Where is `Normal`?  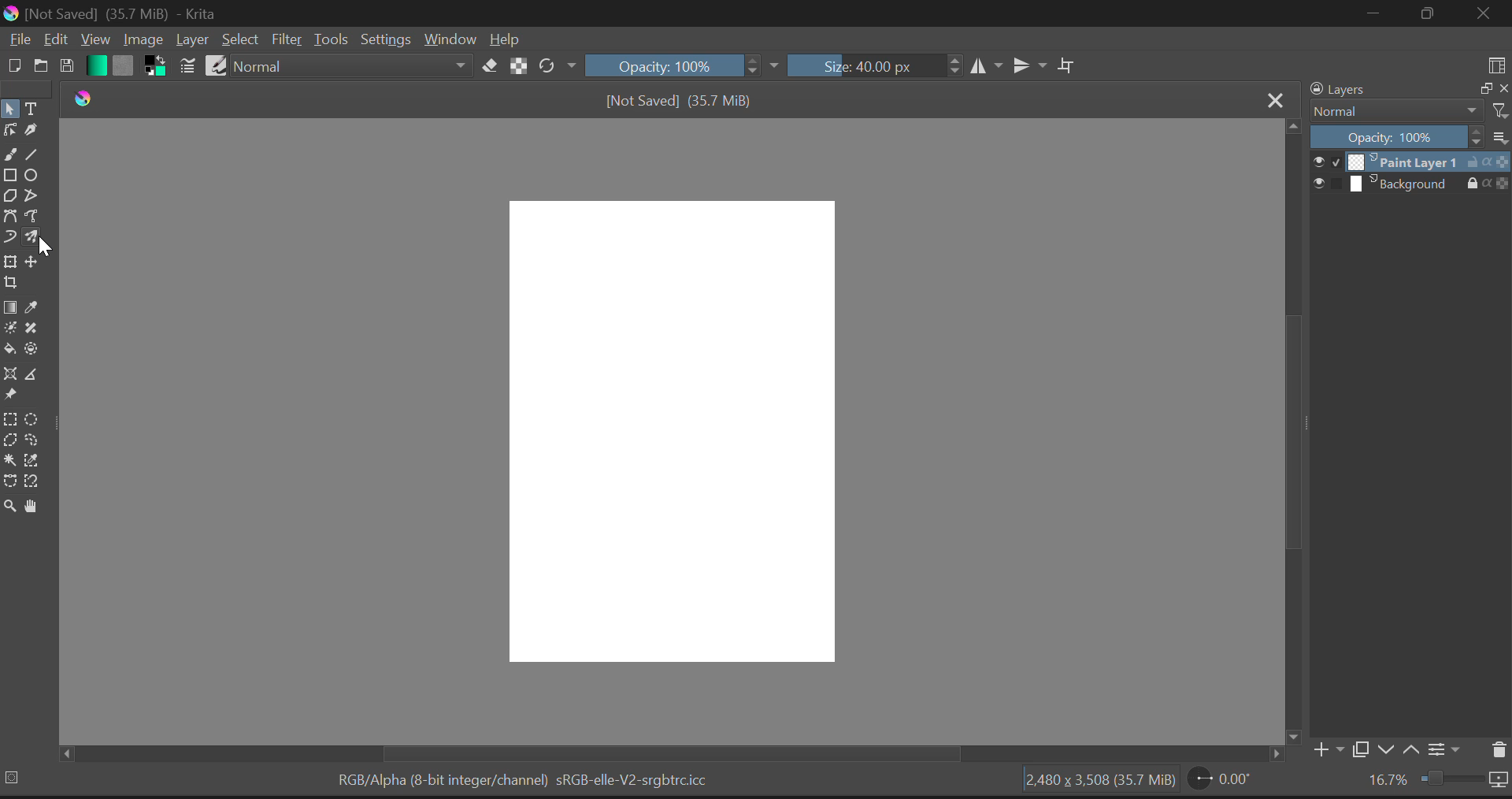 Normal is located at coordinates (354, 65).